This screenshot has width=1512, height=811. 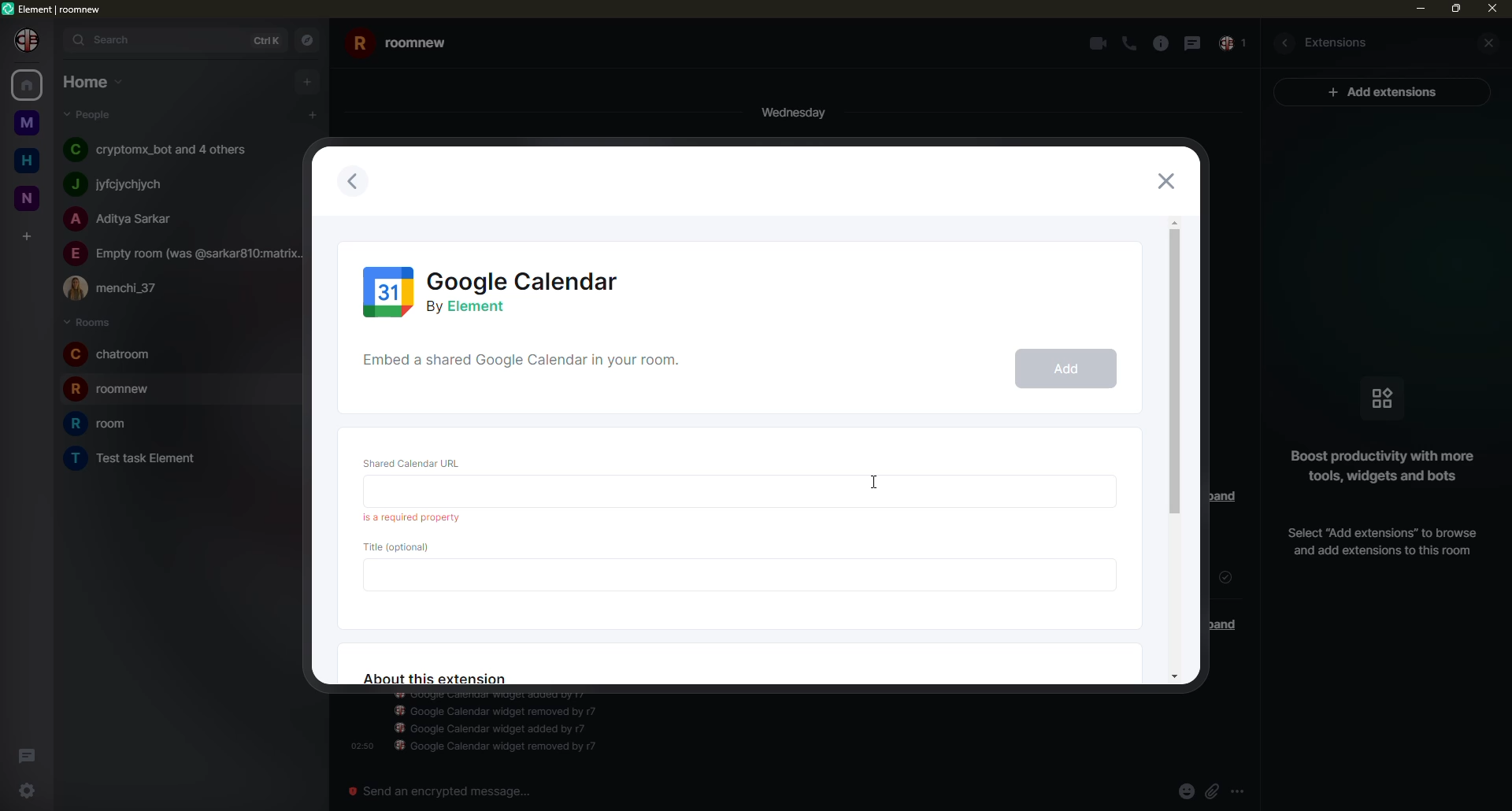 I want to click on message, so click(x=1195, y=44).